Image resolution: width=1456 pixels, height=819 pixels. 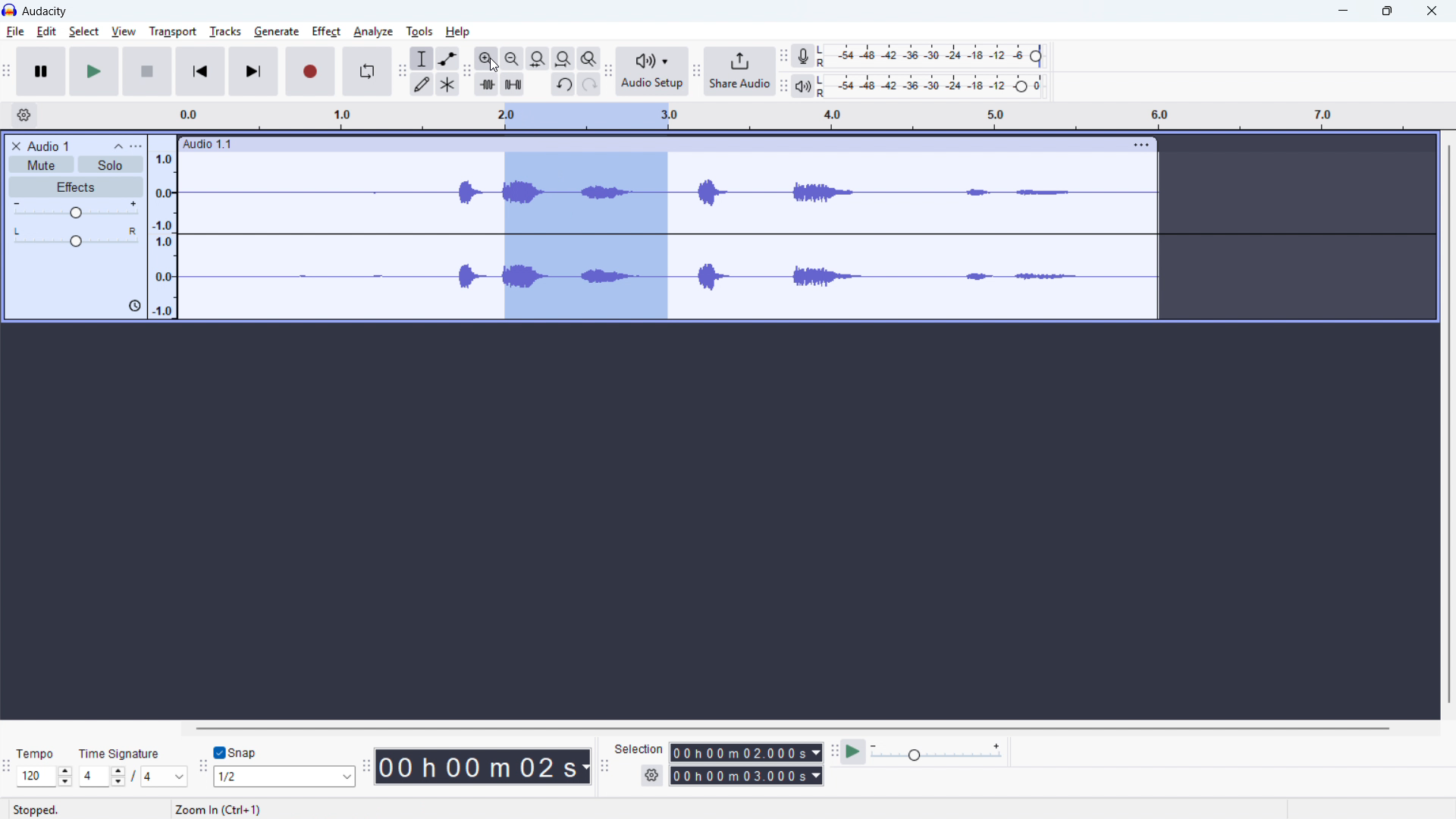 I want to click on redo, so click(x=589, y=83).